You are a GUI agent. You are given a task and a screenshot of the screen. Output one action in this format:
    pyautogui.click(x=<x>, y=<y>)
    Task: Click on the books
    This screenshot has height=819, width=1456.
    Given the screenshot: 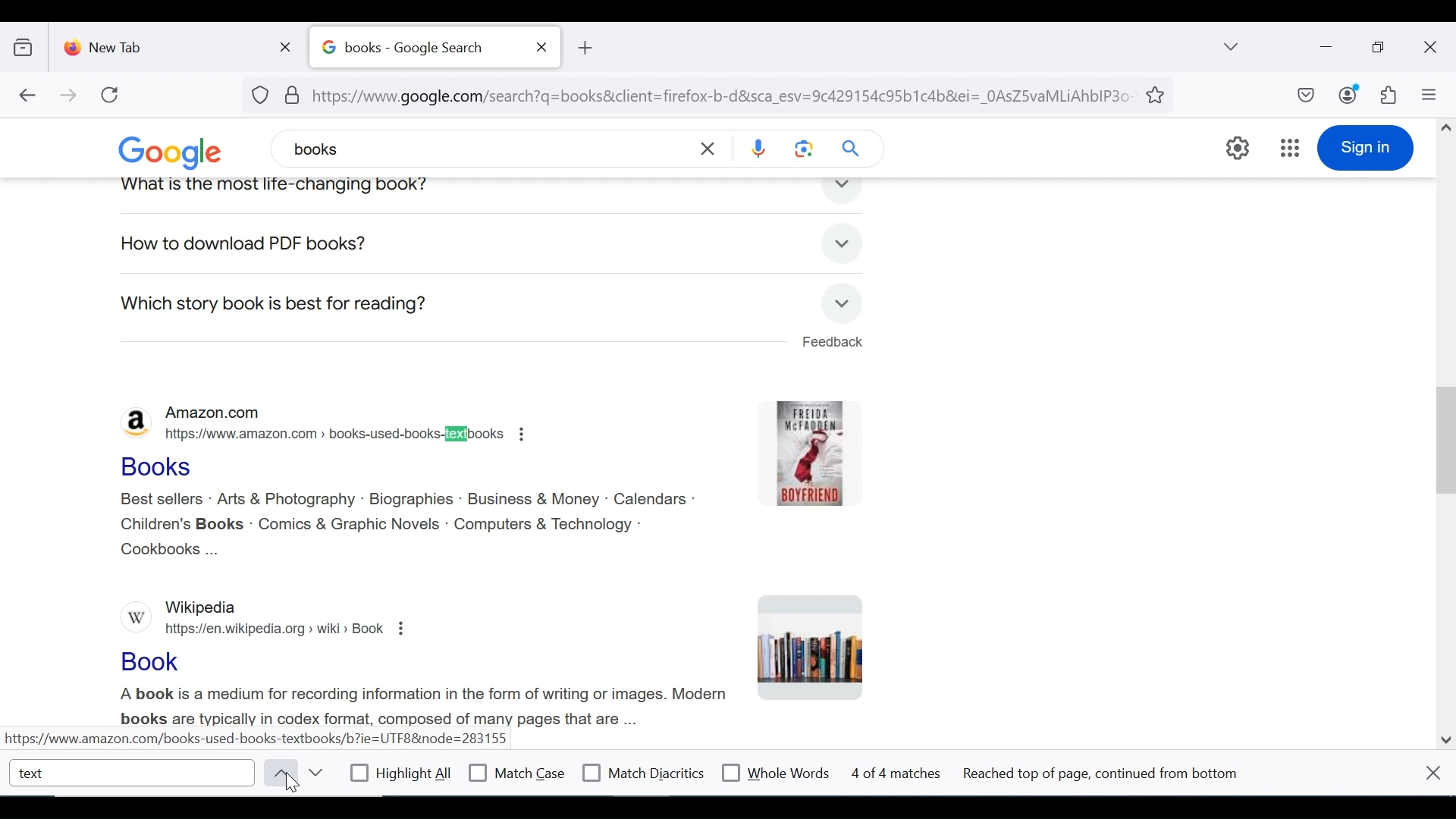 What is the action you would take?
    pyautogui.click(x=407, y=147)
    